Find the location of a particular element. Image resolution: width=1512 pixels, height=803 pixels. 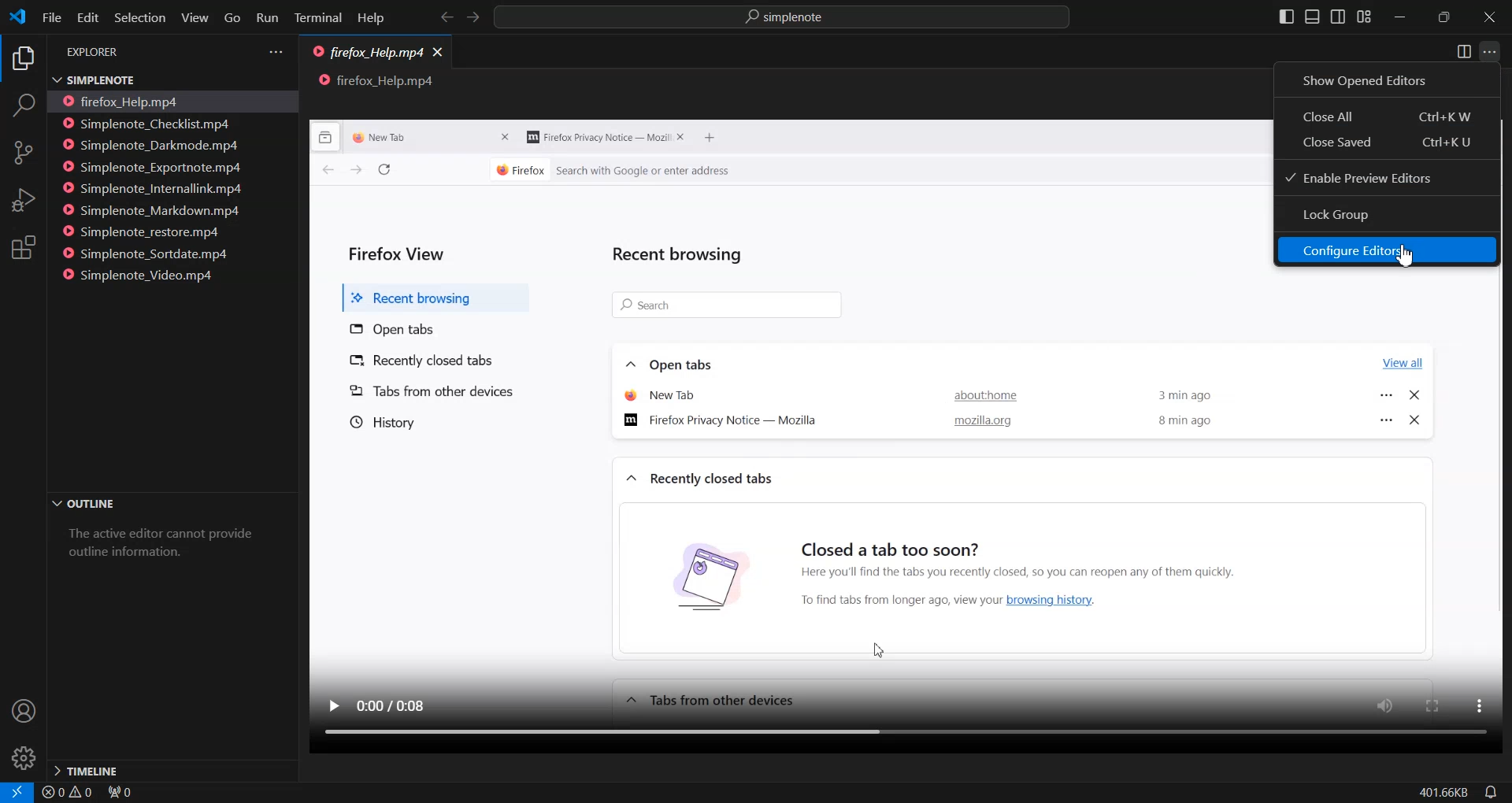

Open tabs is located at coordinates (672, 362).